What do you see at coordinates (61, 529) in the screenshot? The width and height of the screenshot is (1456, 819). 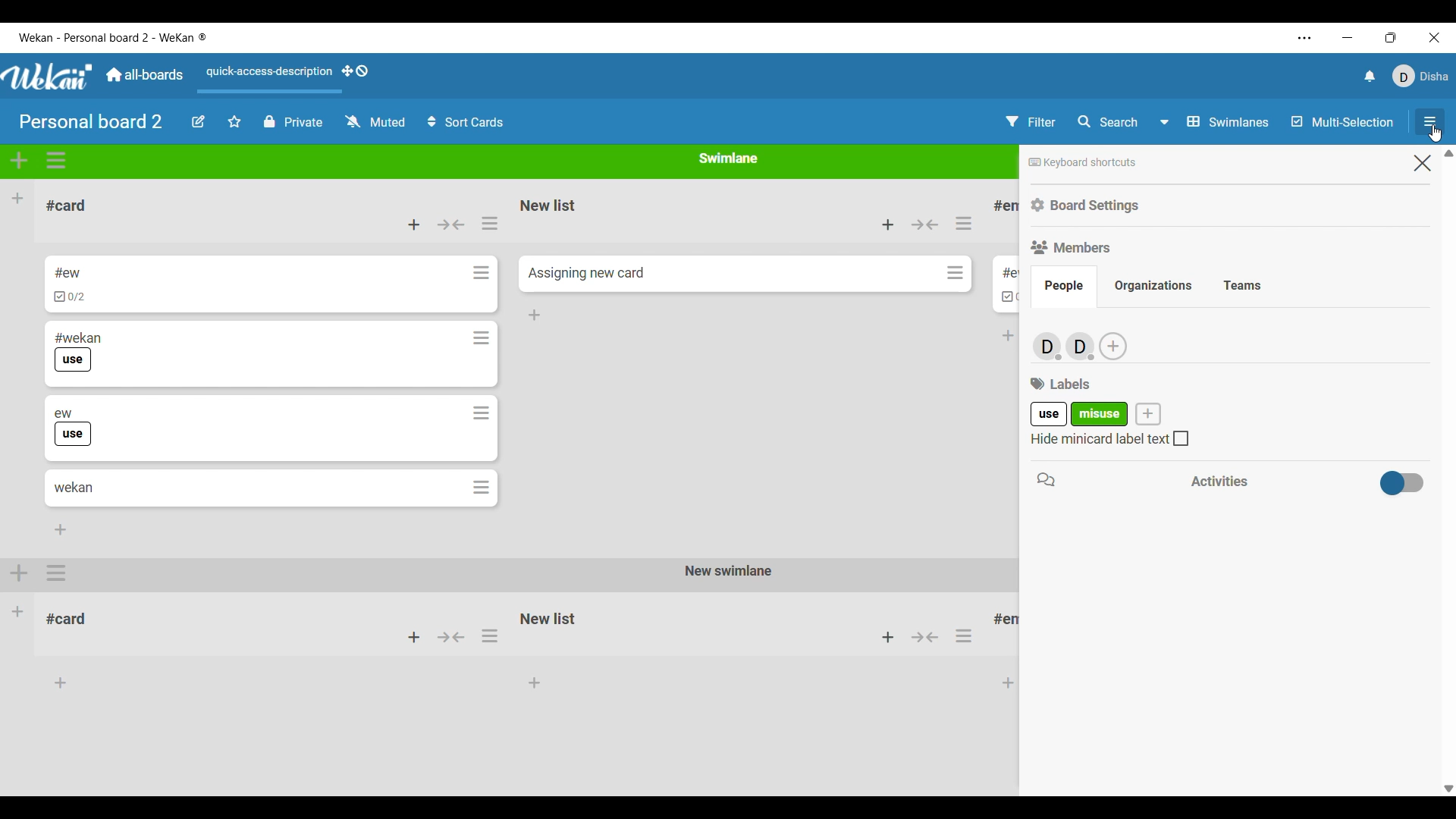 I see `Add card to bottom of list` at bounding box center [61, 529].